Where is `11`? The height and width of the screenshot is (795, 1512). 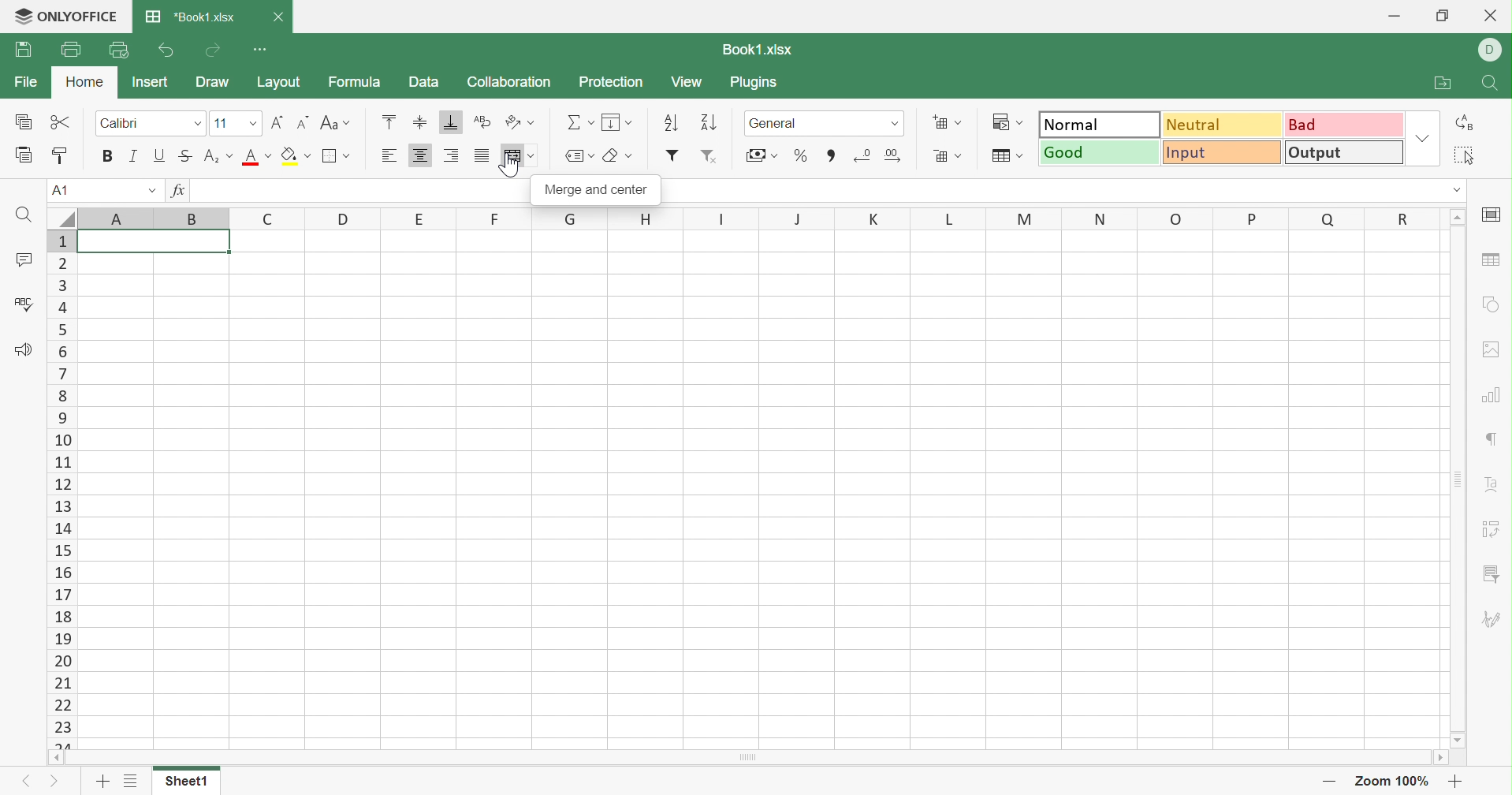 11 is located at coordinates (222, 124).